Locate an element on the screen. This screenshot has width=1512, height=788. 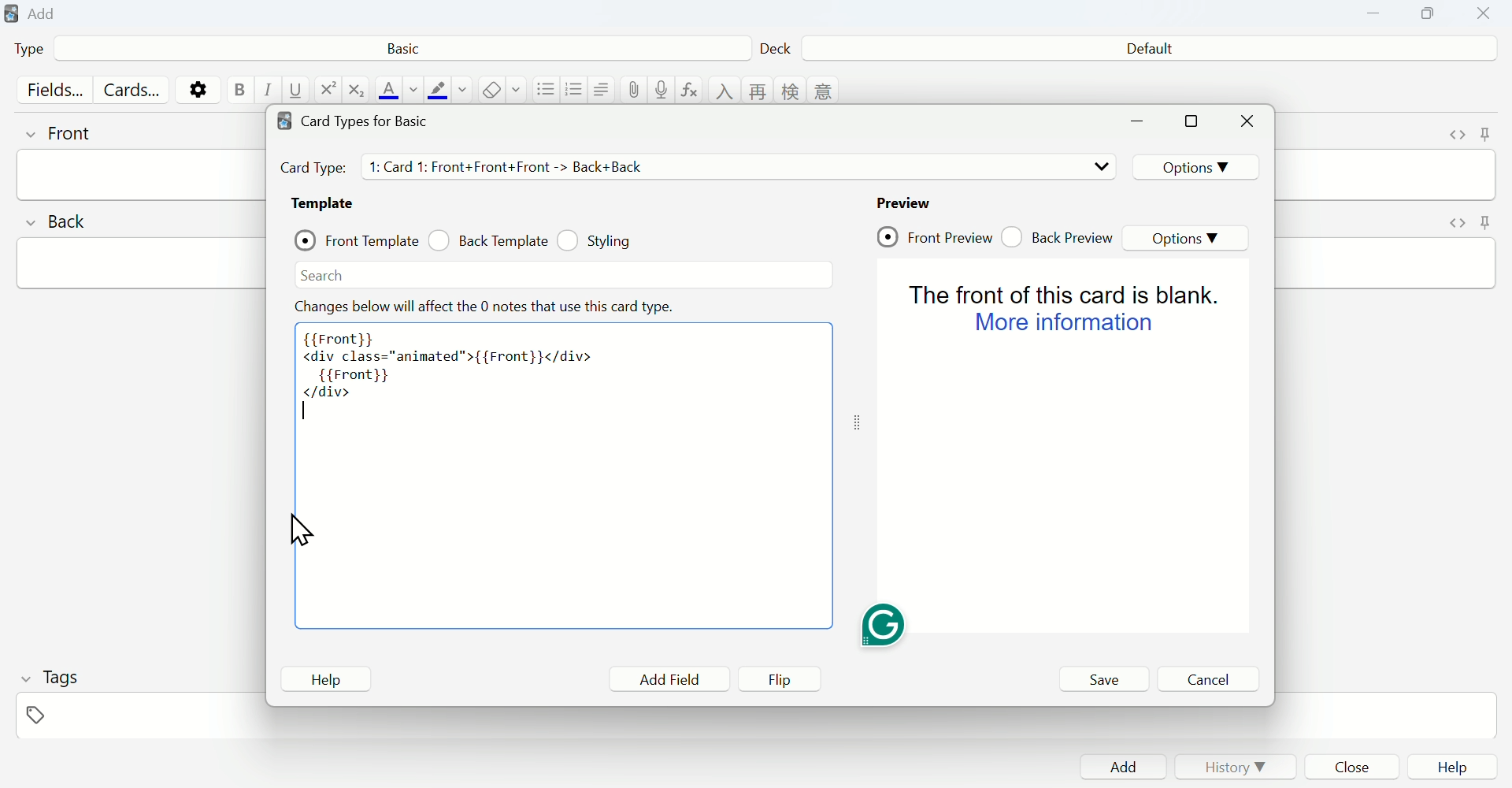
Preview page is located at coordinates (1072, 434).